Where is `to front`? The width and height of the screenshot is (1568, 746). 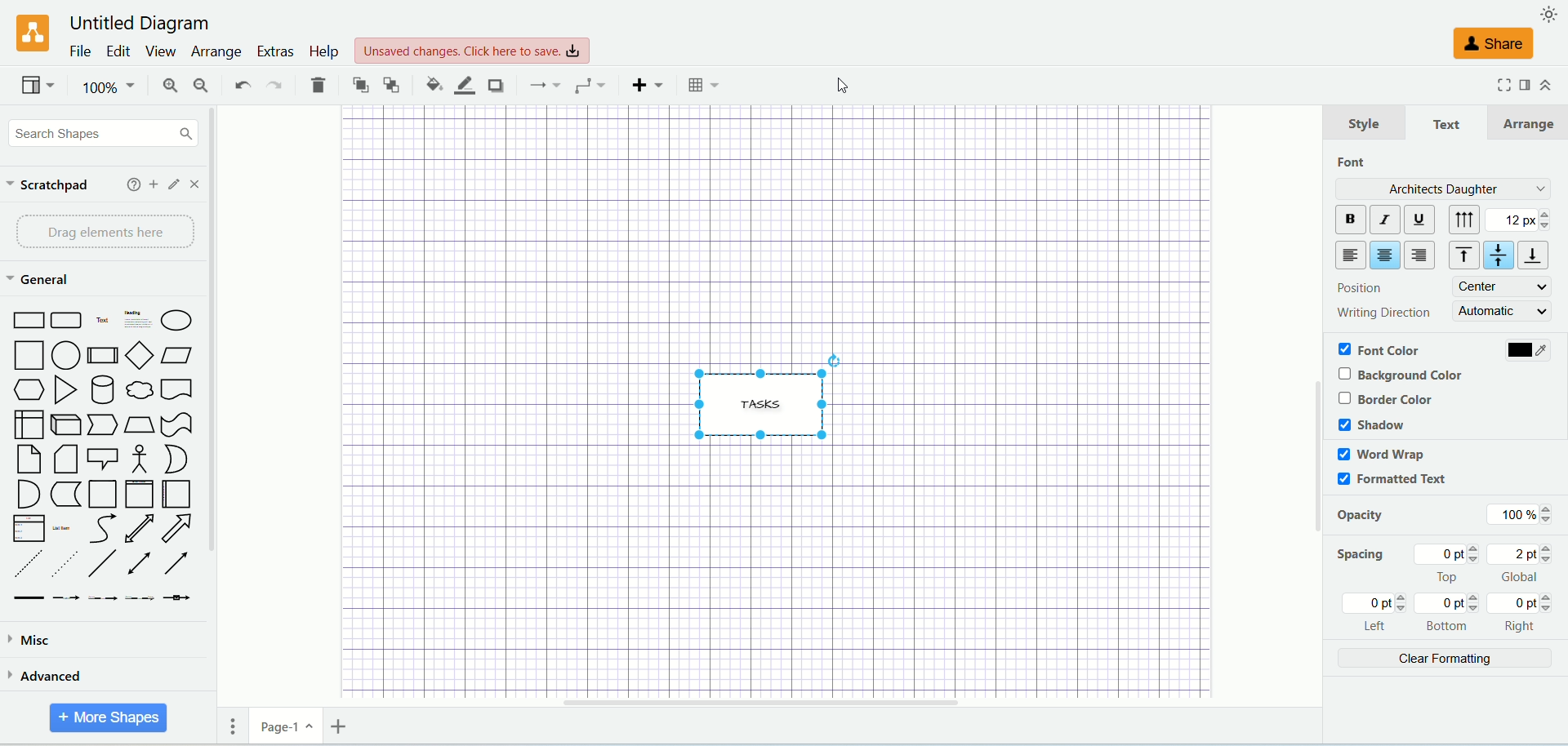 to front is located at coordinates (357, 83).